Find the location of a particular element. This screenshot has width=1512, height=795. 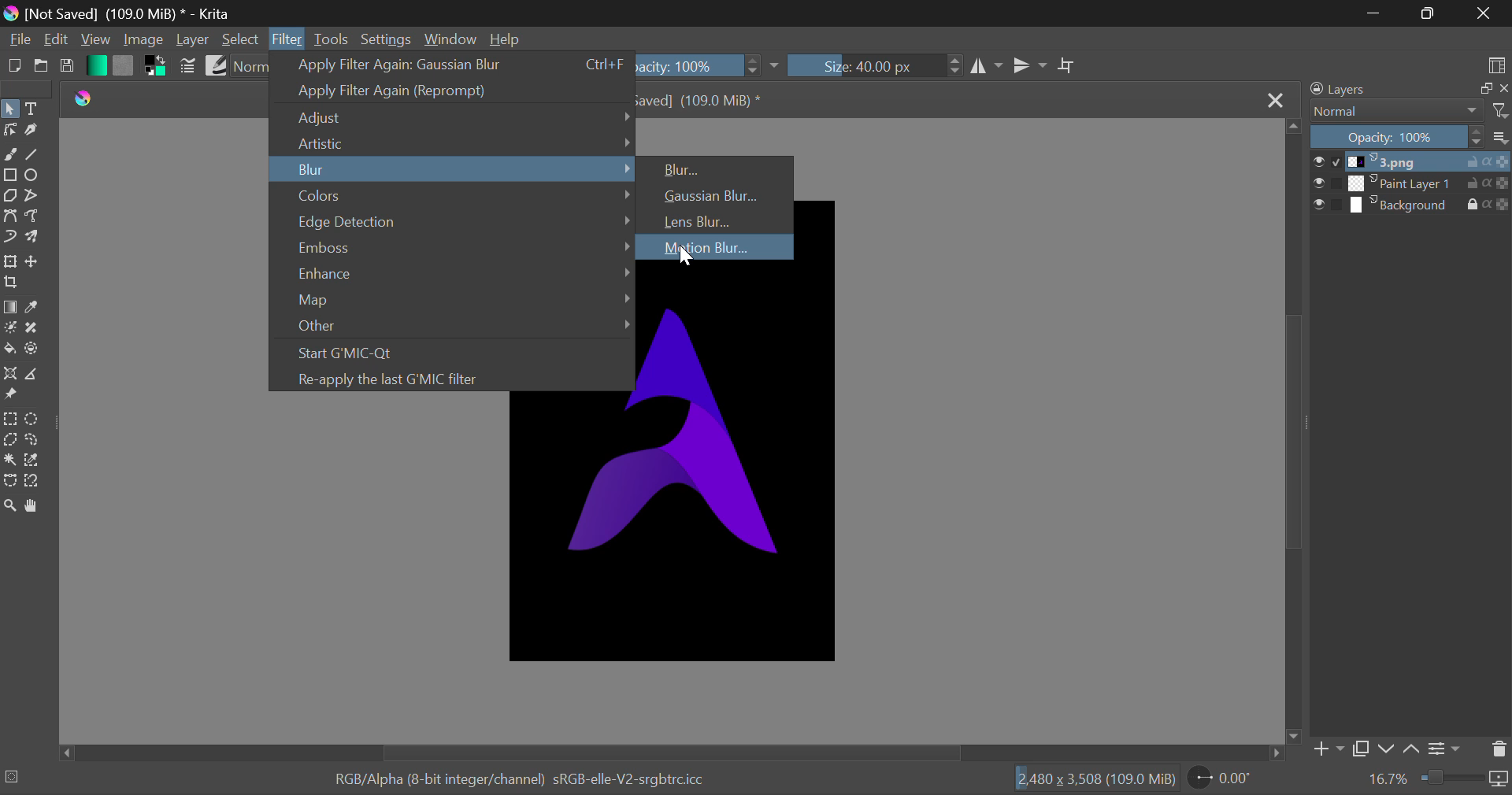

New is located at coordinates (13, 67).